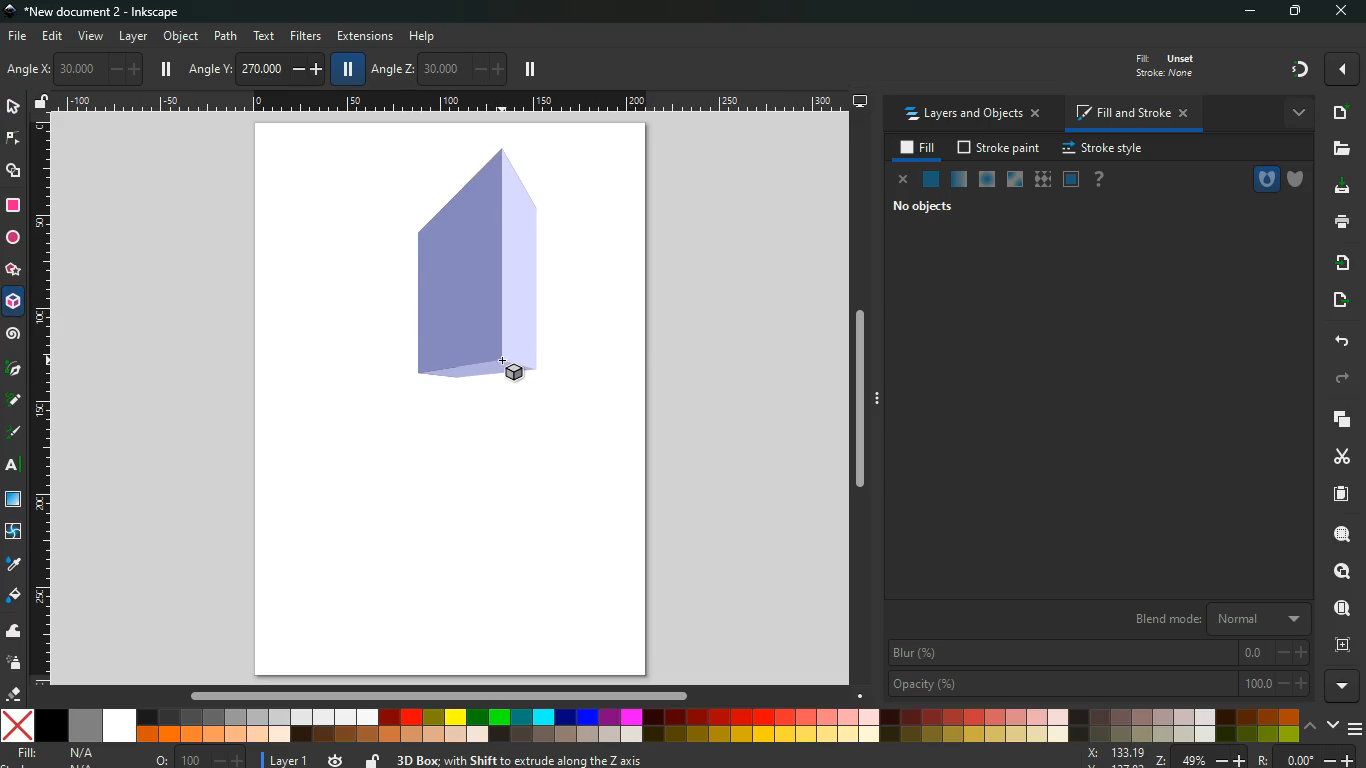 This screenshot has width=1366, height=768. What do you see at coordinates (16, 399) in the screenshot?
I see `note` at bounding box center [16, 399].